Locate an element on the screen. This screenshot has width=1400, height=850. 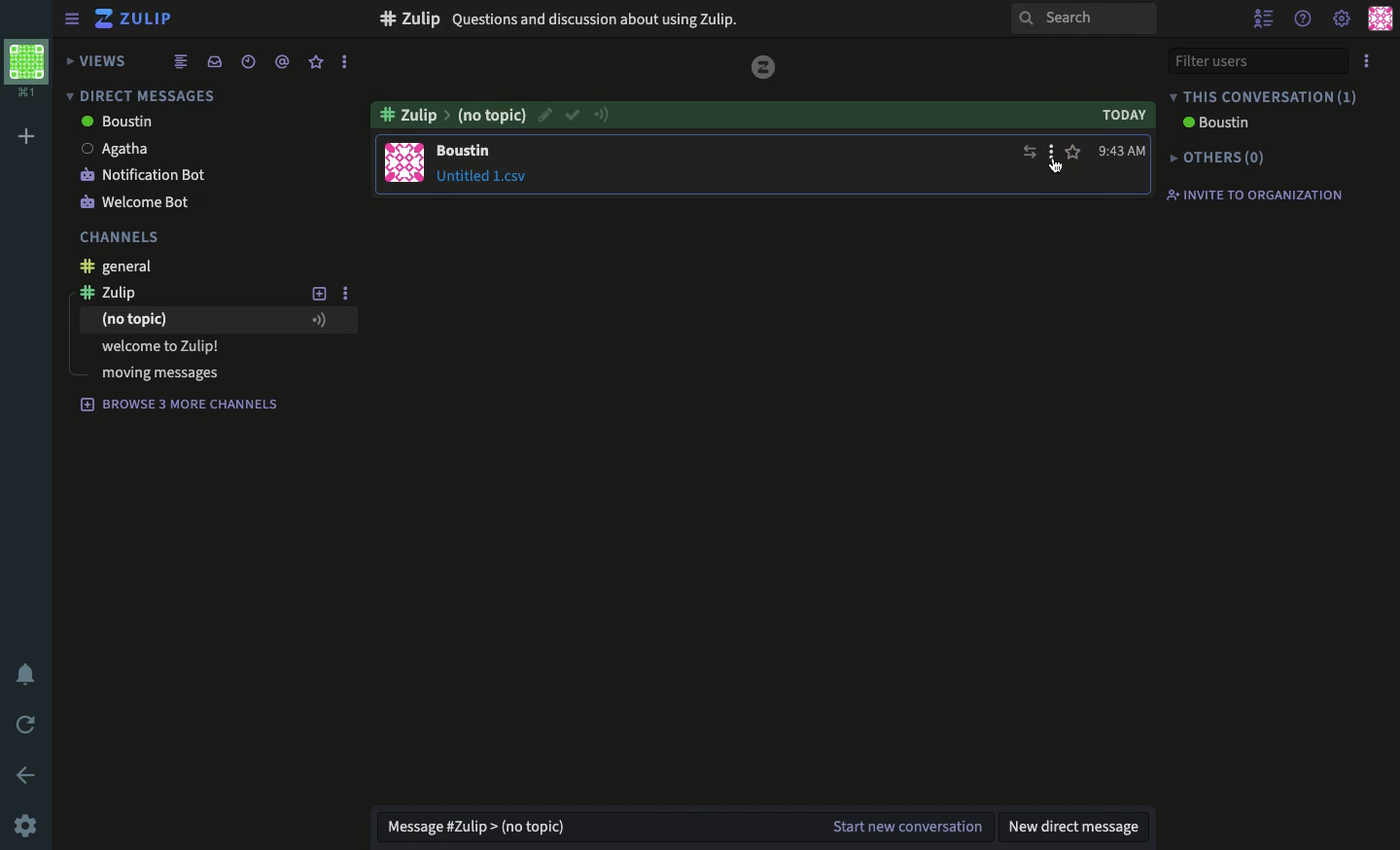
options is located at coordinates (345, 296).